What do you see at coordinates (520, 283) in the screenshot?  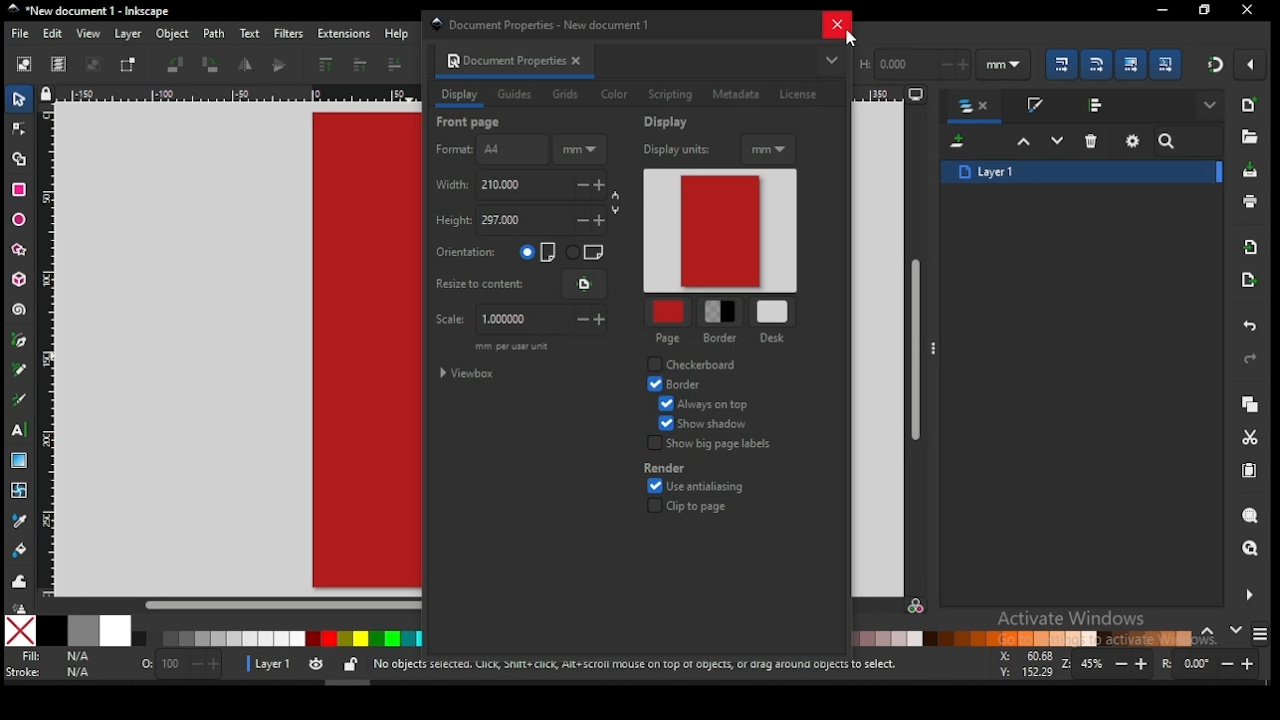 I see `resize to content` at bounding box center [520, 283].